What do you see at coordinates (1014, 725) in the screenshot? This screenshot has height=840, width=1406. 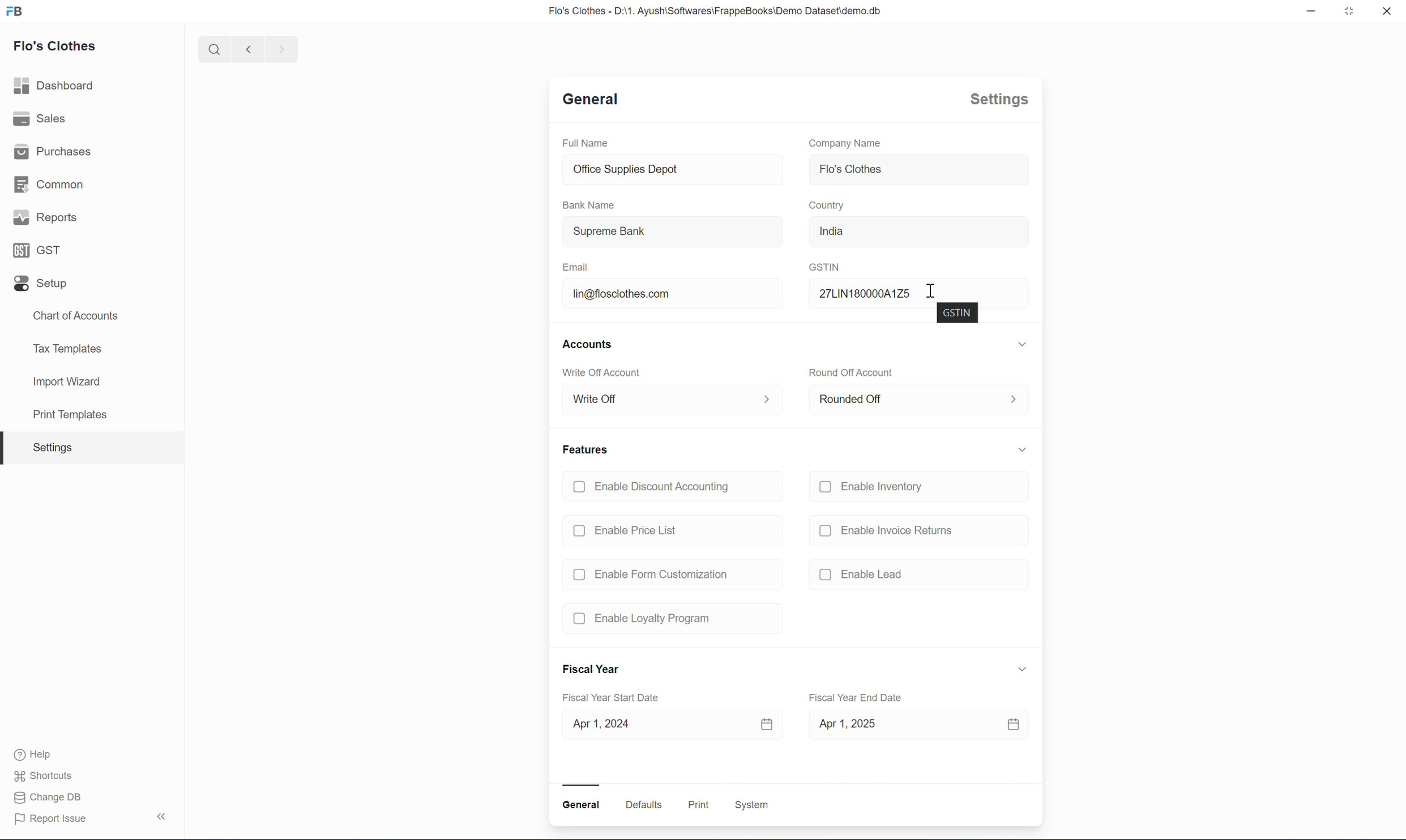 I see `calendar icon` at bounding box center [1014, 725].